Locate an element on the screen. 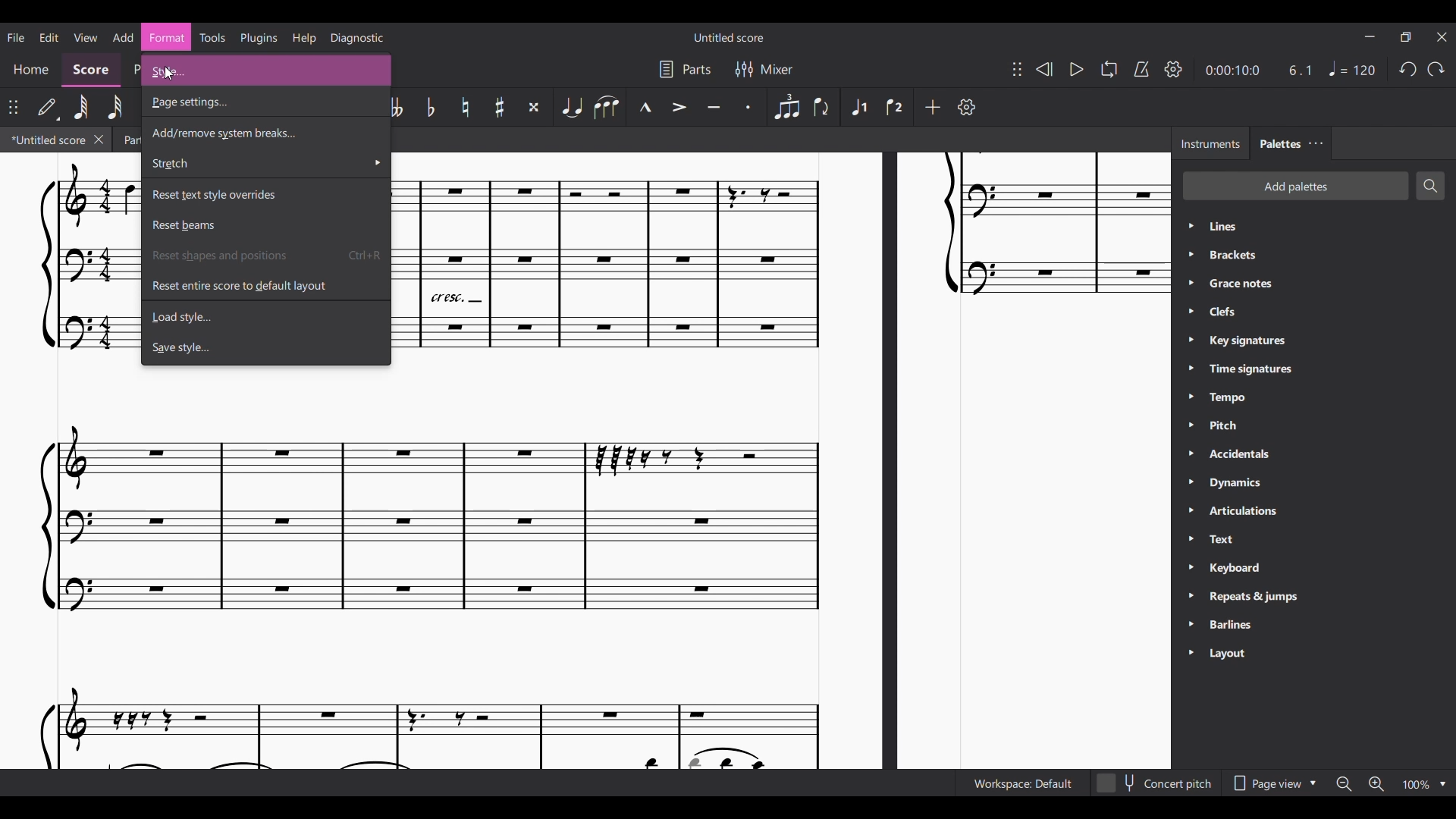  Parts settings is located at coordinates (685, 69).